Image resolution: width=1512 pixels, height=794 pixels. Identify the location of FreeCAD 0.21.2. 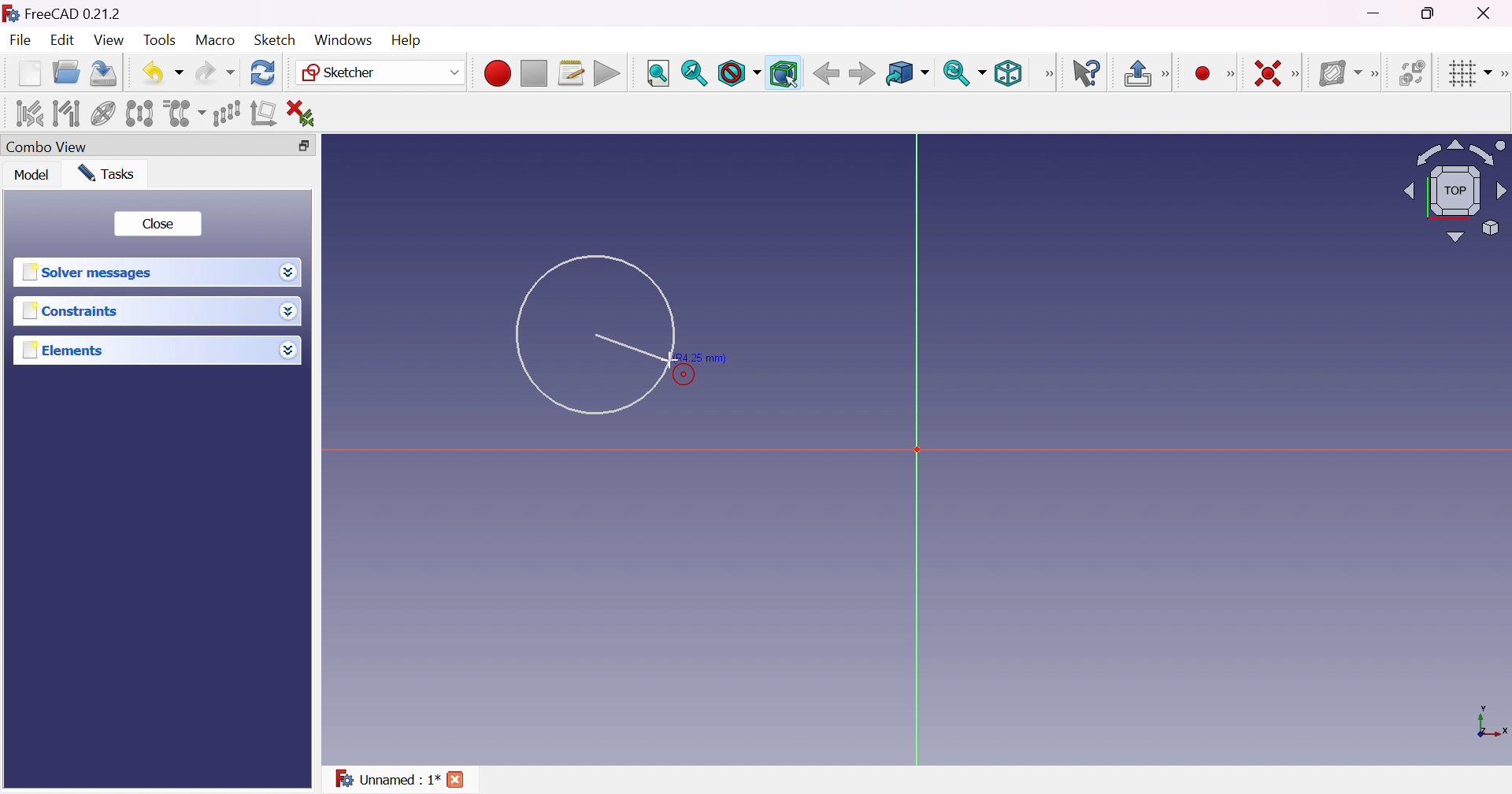
(74, 13).